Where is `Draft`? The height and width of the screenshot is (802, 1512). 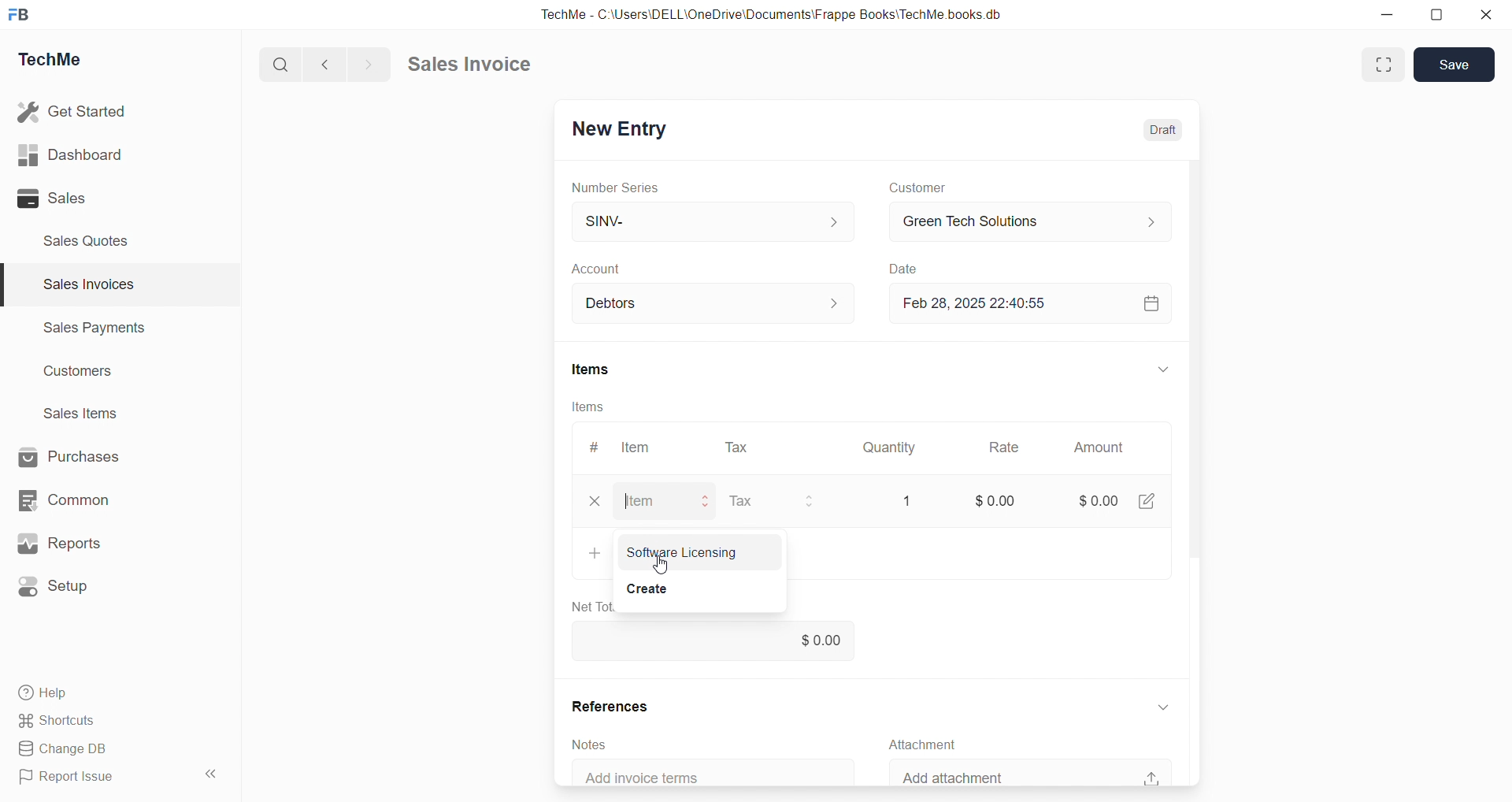
Draft is located at coordinates (1162, 131).